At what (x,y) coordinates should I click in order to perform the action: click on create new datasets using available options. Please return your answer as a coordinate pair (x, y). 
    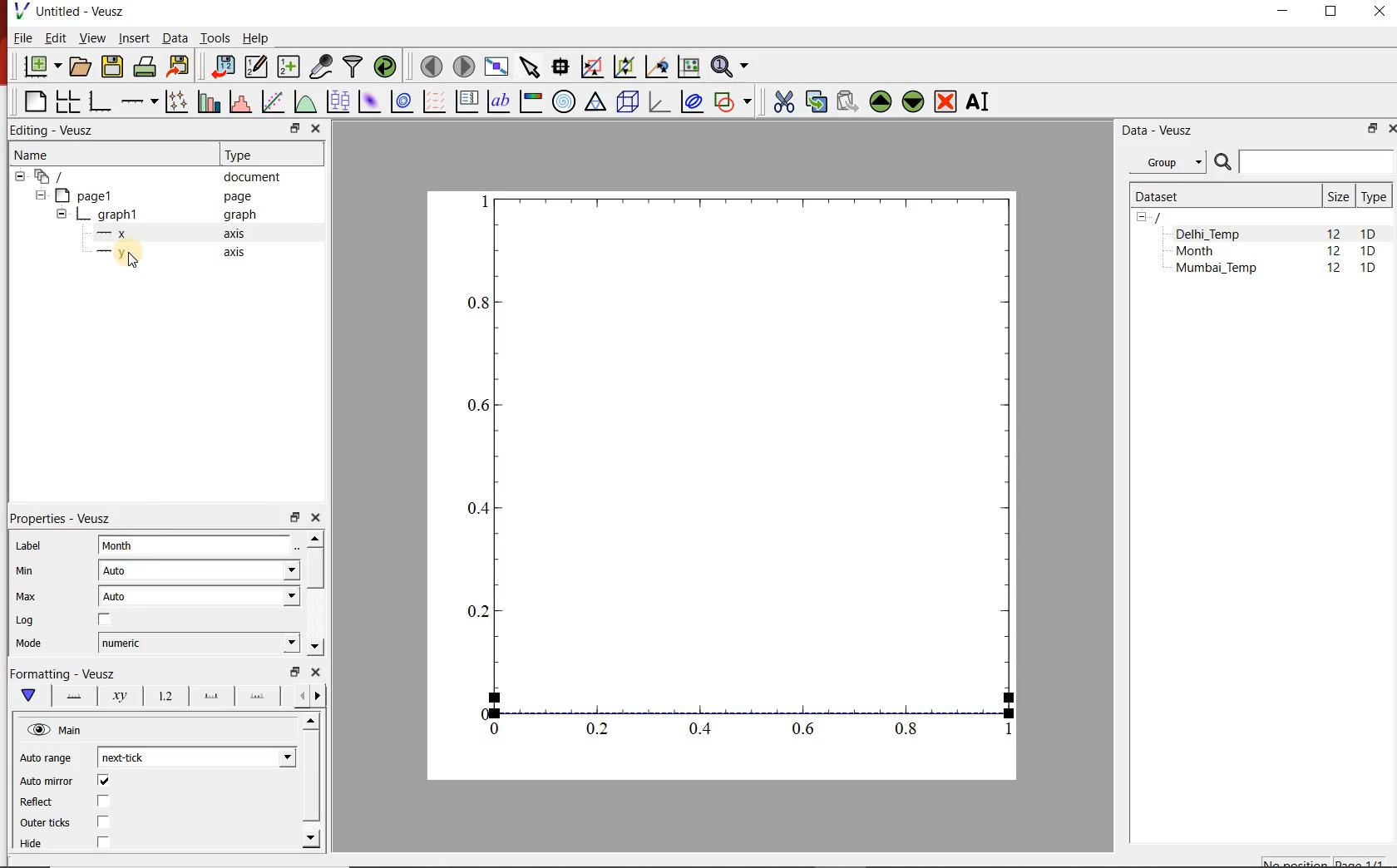
    Looking at the image, I should click on (289, 67).